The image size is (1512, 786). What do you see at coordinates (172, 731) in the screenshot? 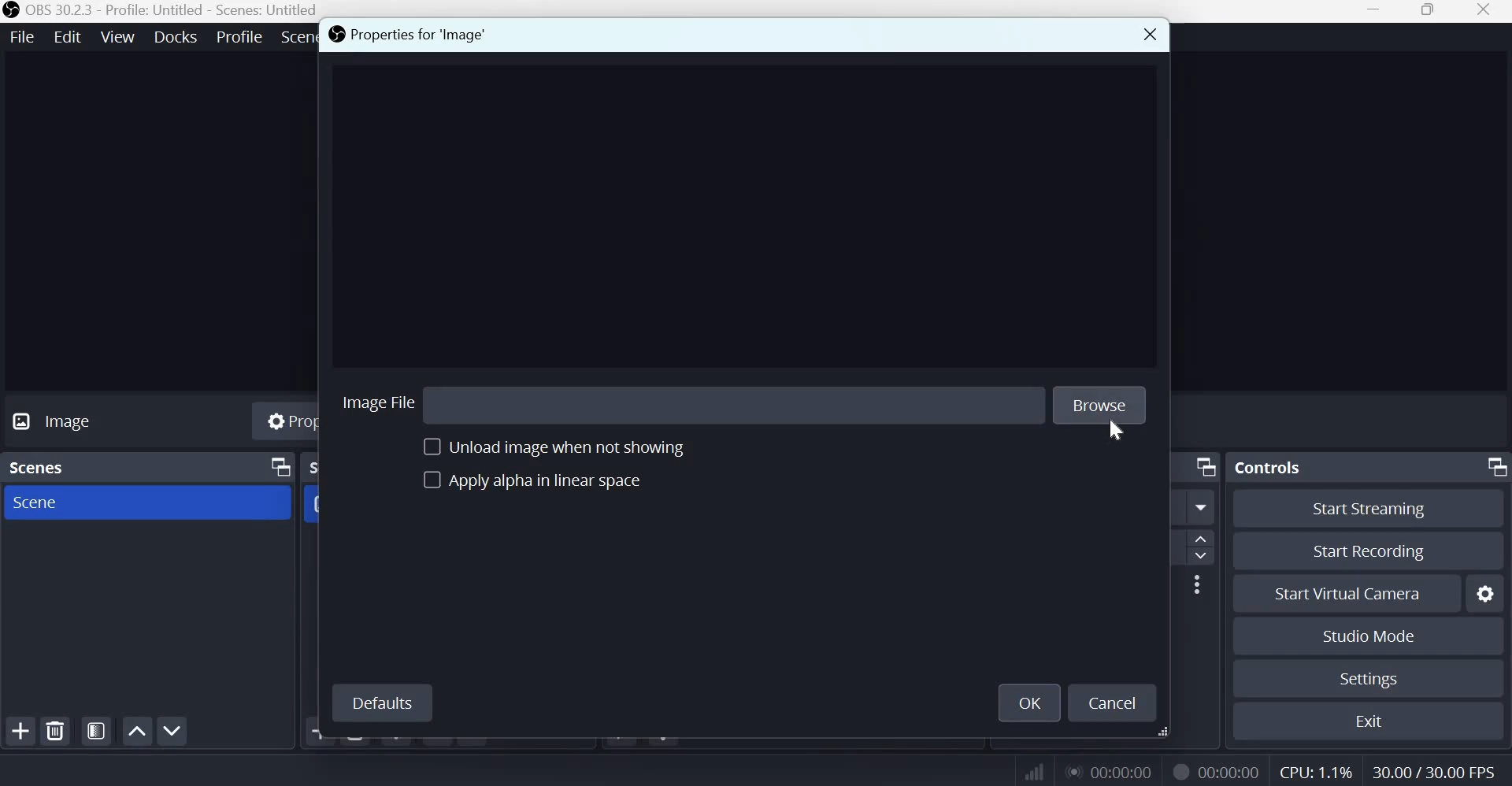
I see `Move scene down` at bounding box center [172, 731].